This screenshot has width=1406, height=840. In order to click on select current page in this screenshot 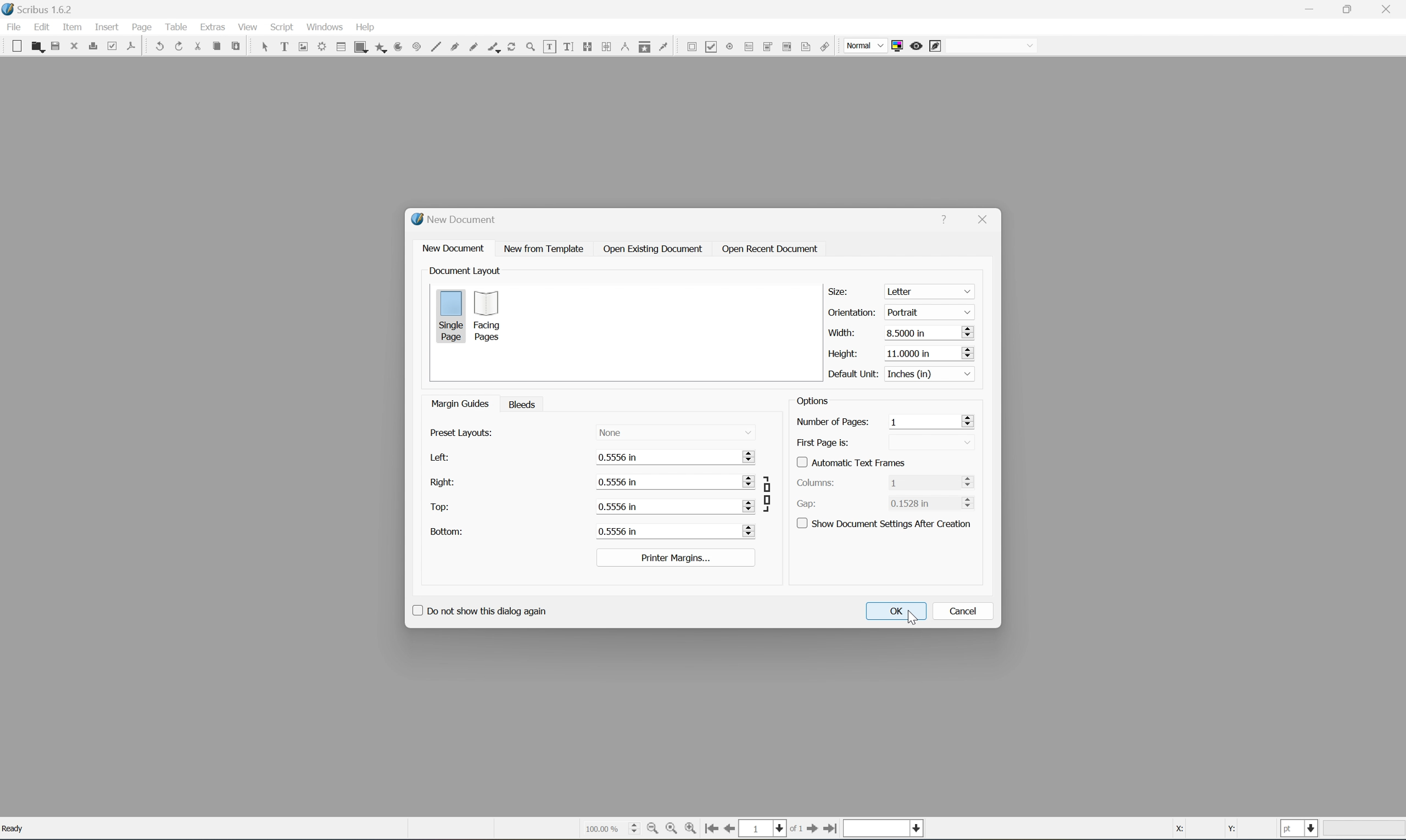, I will do `click(769, 829)`.